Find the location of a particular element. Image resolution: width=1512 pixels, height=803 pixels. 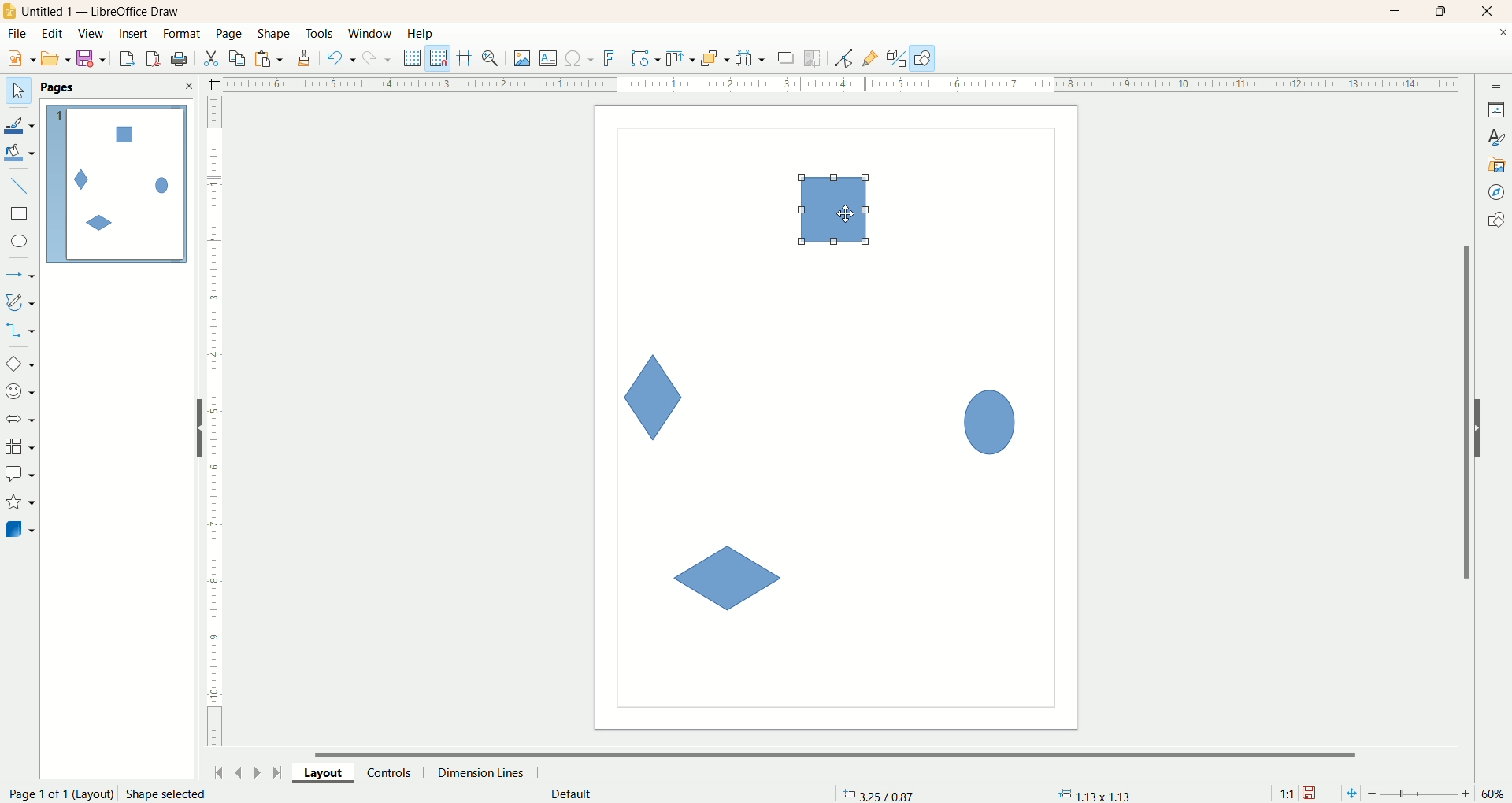

3dD object is located at coordinates (19, 529).